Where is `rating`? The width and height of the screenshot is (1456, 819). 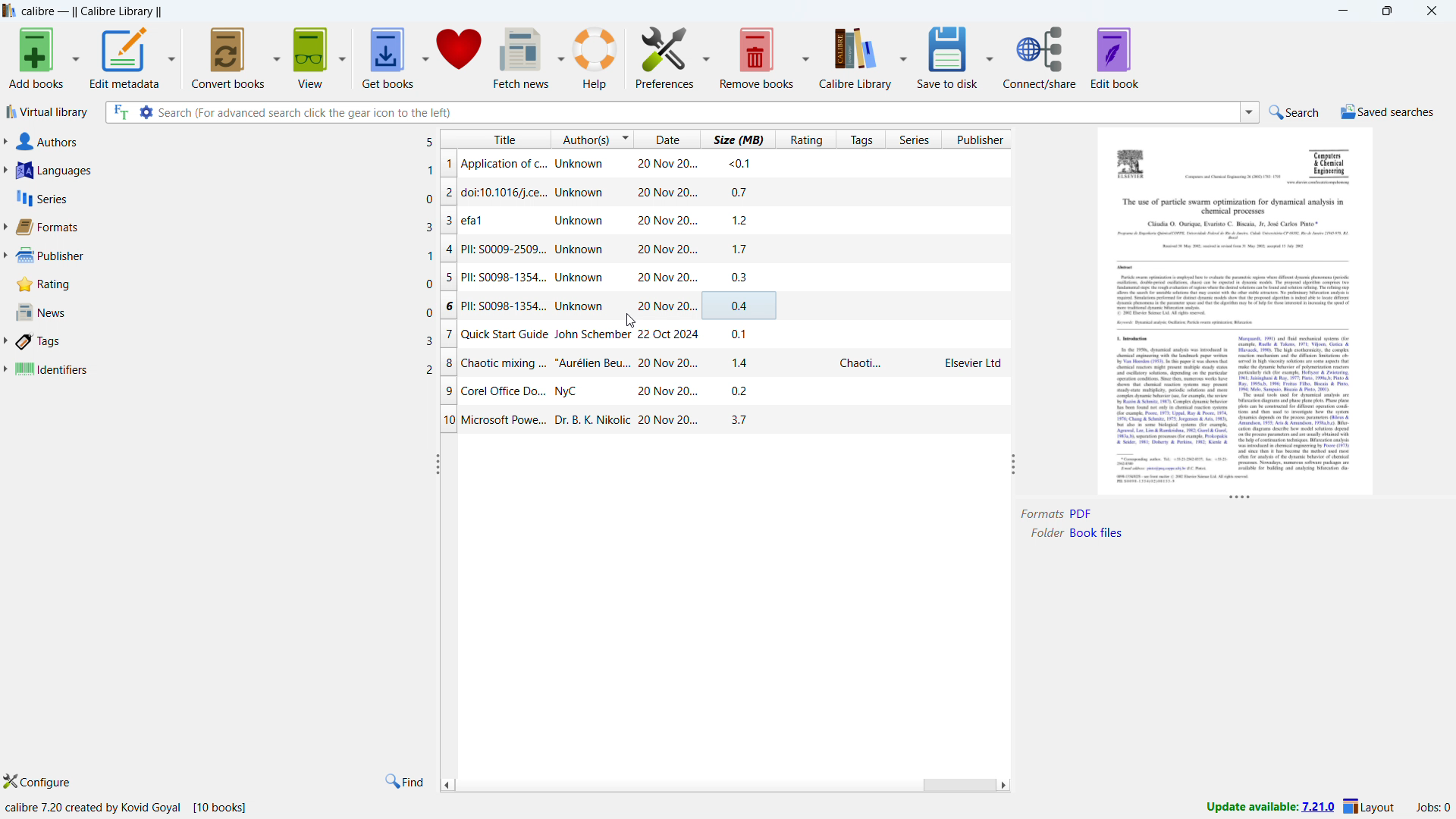
rating is located at coordinates (224, 284).